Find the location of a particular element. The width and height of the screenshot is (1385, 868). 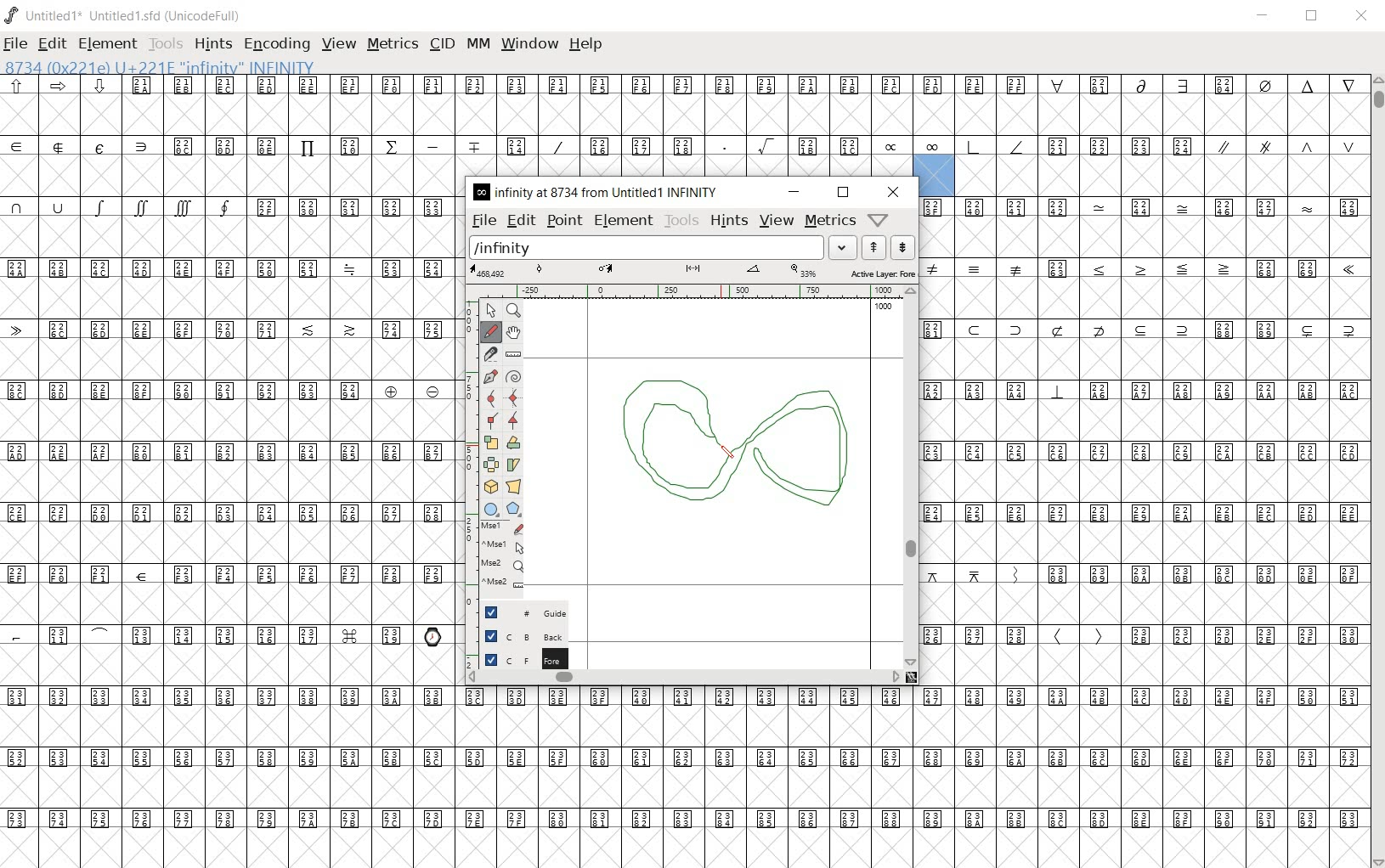

guide is located at coordinates (516, 614).